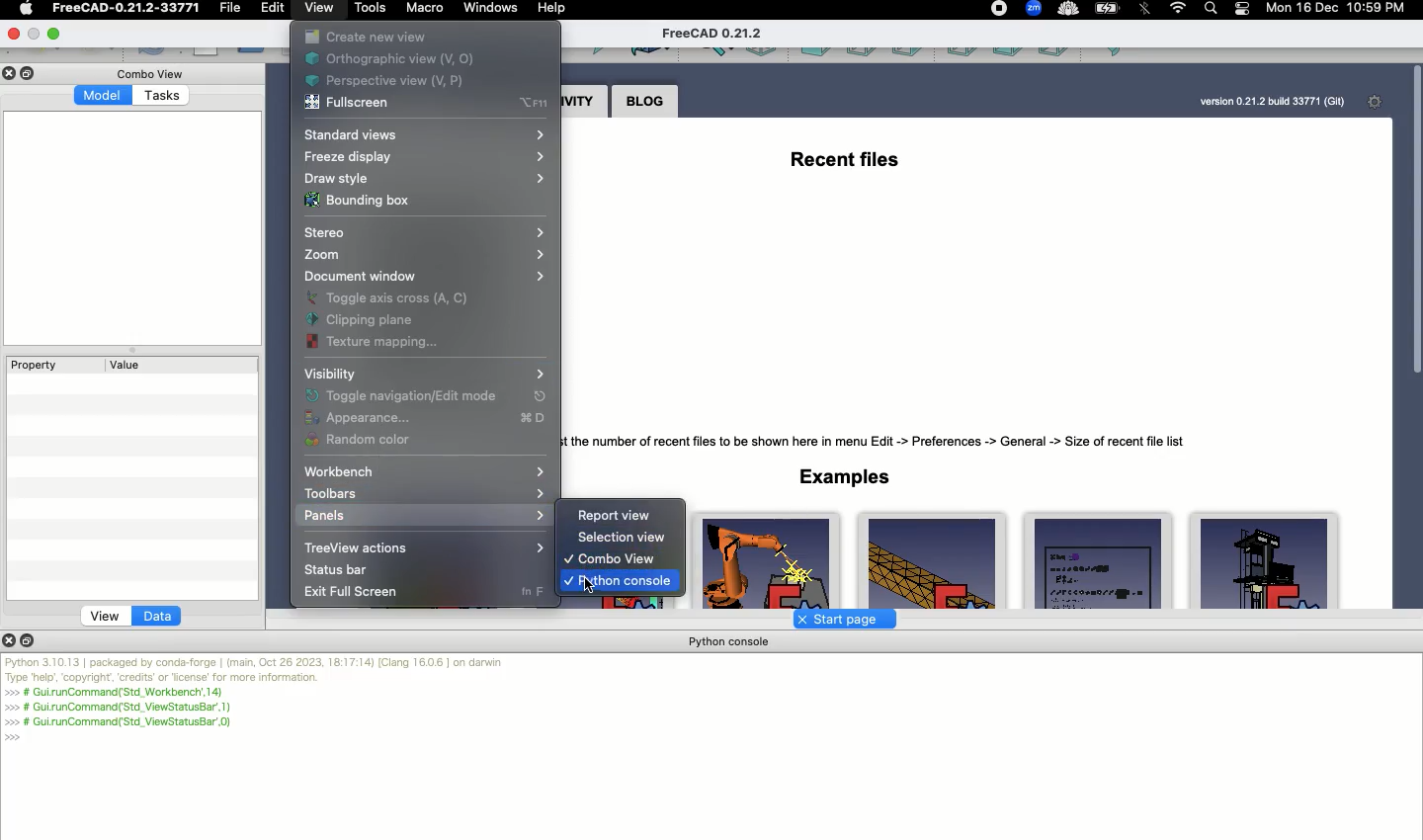 The width and height of the screenshot is (1423, 840). Describe the element at coordinates (36, 365) in the screenshot. I see `Property` at that location.